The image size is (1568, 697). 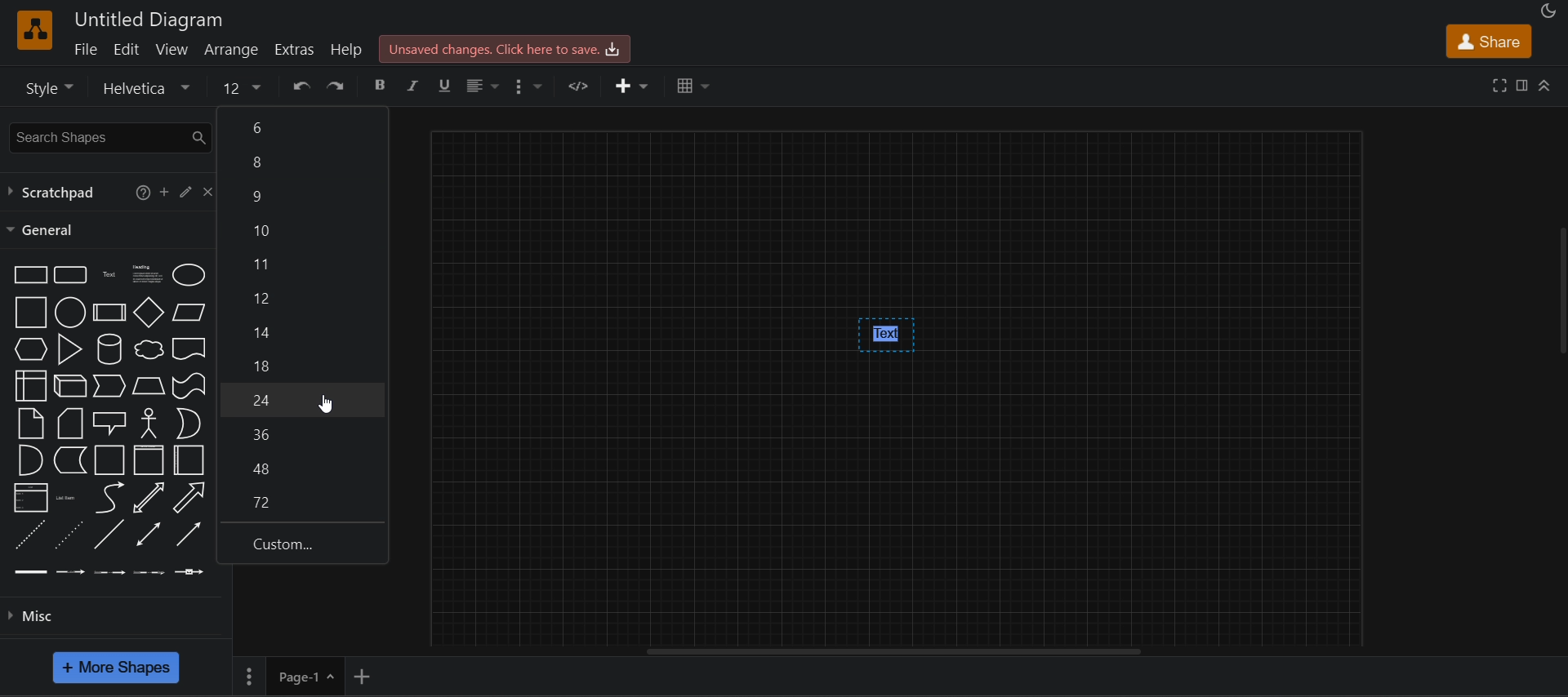 What do you see at coordinates (189, 348) in the screenshot?
I see `Document` at bounding box center [189, 348].